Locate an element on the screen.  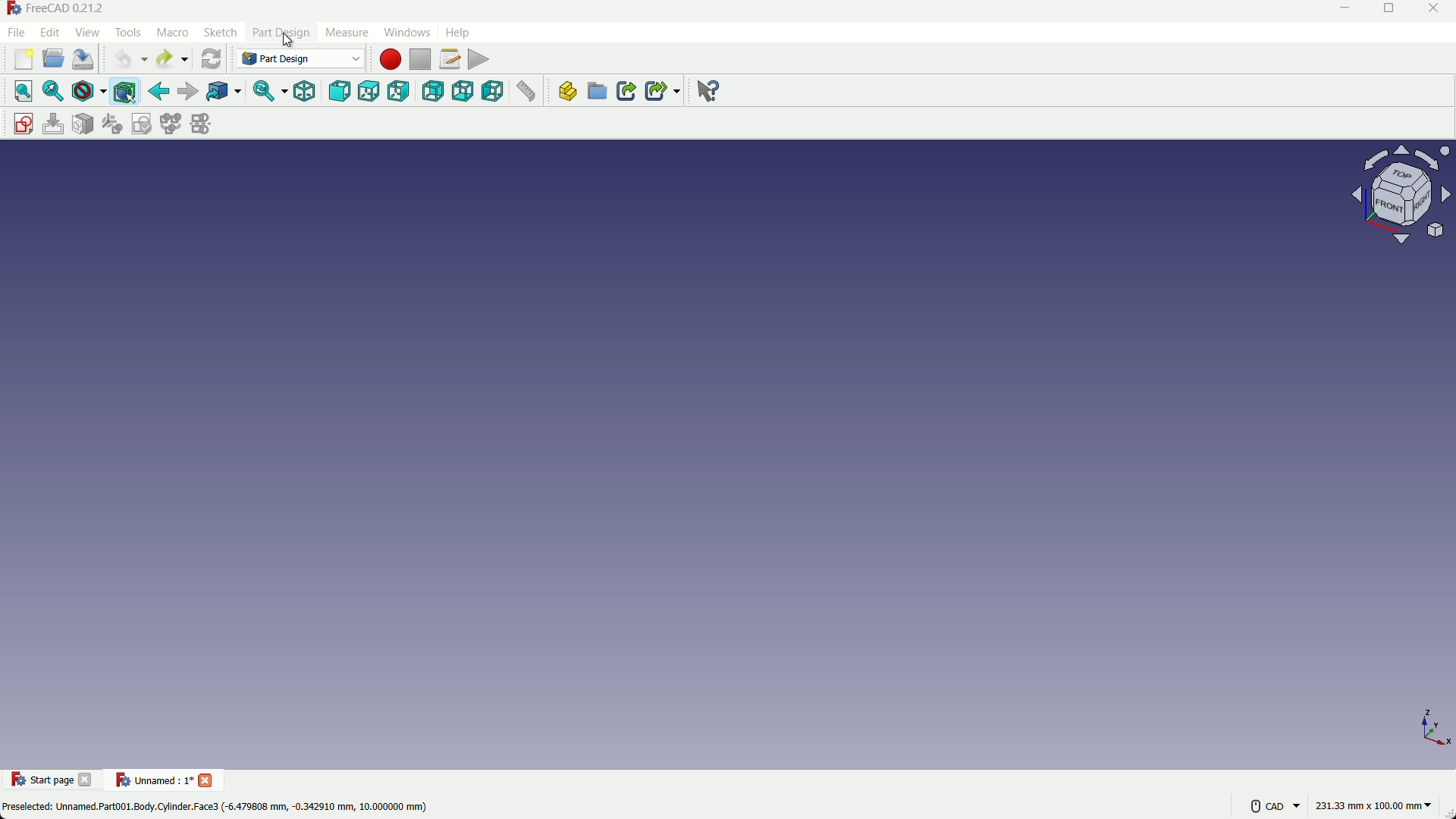
left view is located at coordinates (493, 91).